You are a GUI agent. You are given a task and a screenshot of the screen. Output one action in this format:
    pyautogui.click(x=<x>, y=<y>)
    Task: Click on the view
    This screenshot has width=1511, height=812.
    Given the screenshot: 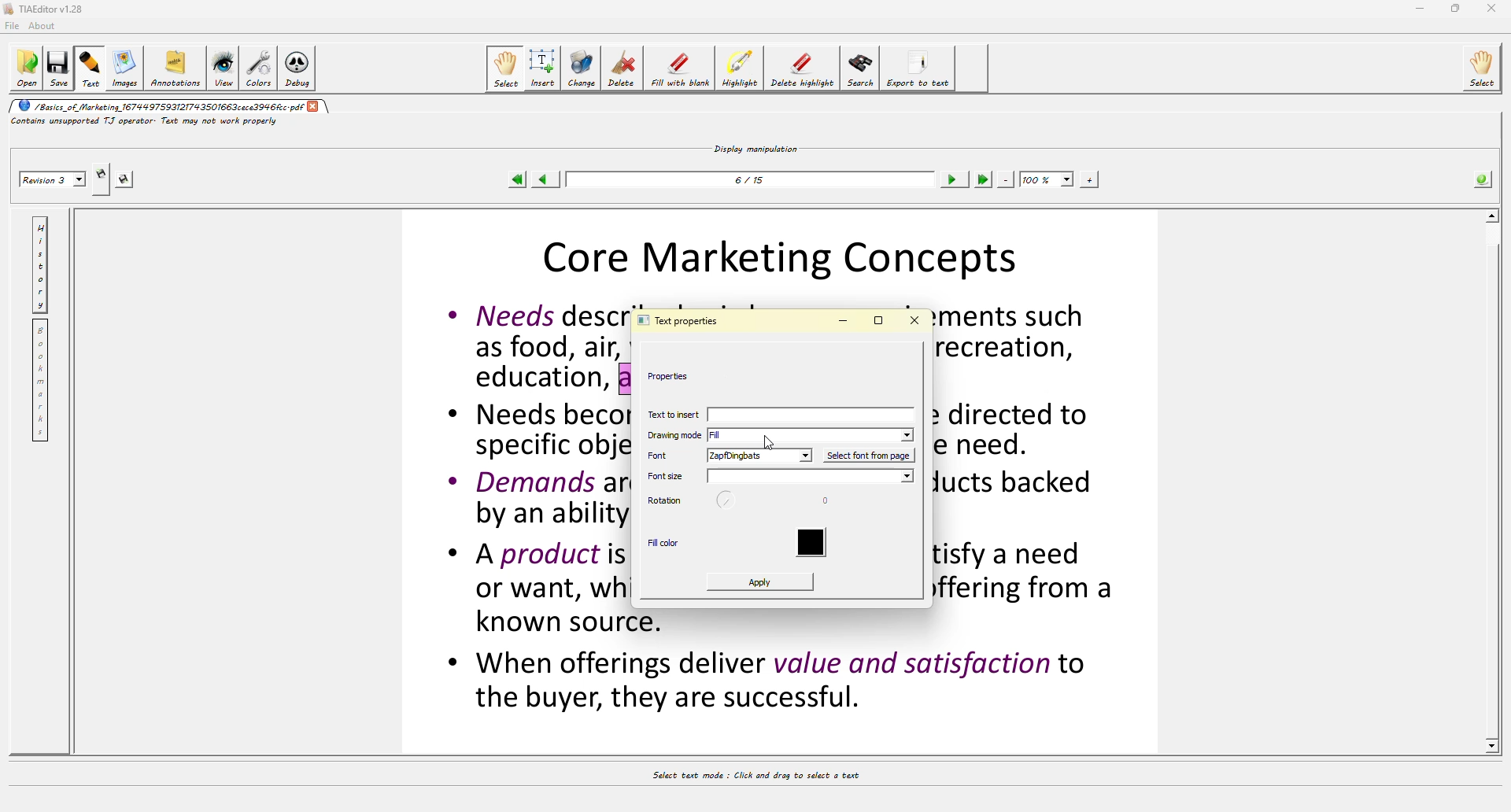 What is the action you would take?
    pyautogui.click(x=223, y=67)
    